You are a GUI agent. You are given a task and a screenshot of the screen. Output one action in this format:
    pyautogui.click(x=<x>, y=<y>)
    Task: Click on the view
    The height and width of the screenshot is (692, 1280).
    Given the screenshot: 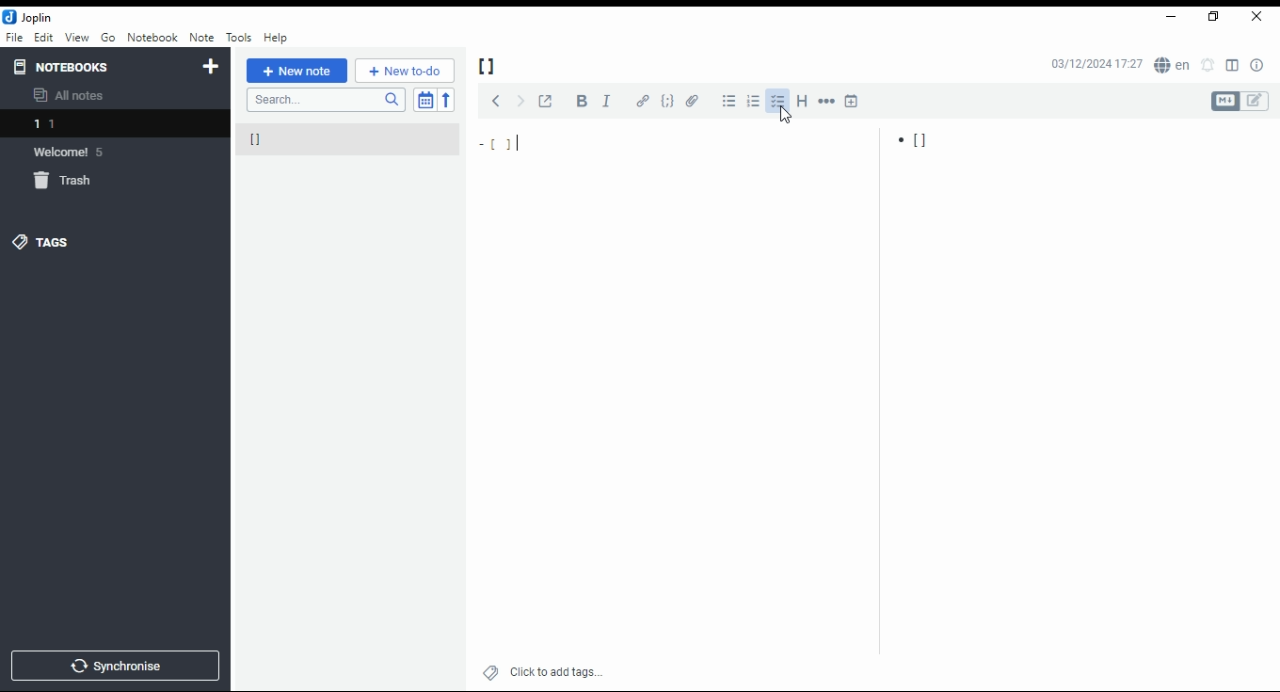 What is the action you would take?
    pyautogui.click(x=78, y=38)
    